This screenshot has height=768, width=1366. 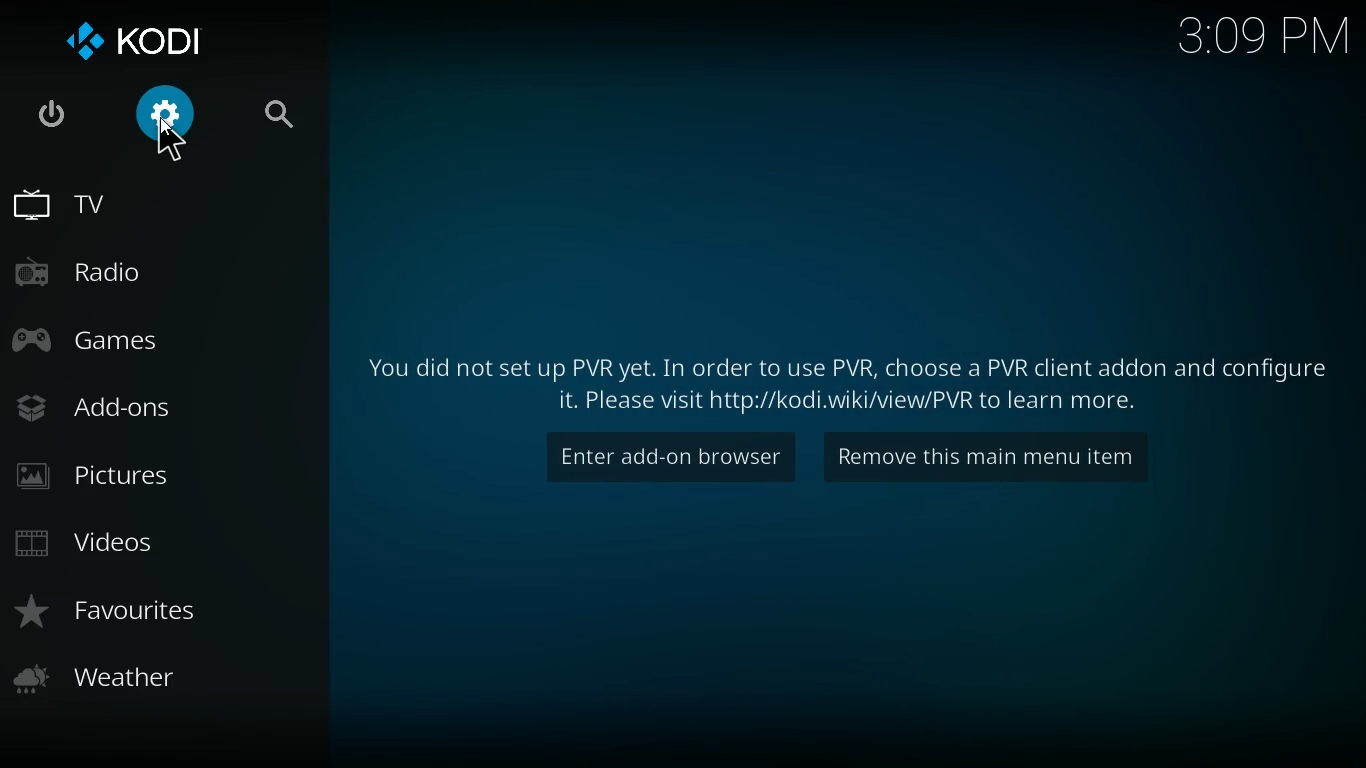 What do you see at coordinates (126, 338) in the screenshot?
I see `games` at bounding box center [126, 338].